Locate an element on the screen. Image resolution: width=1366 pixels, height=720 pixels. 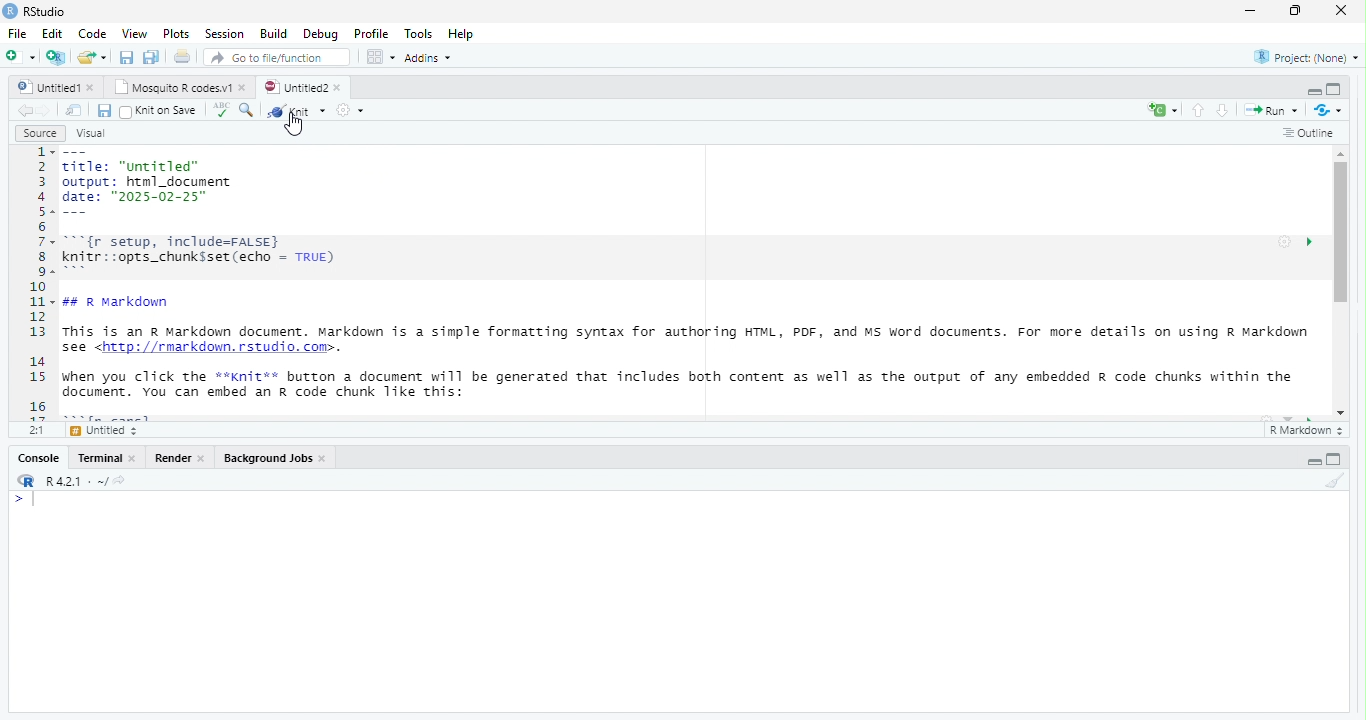
save is located at coordinates (104, 111).